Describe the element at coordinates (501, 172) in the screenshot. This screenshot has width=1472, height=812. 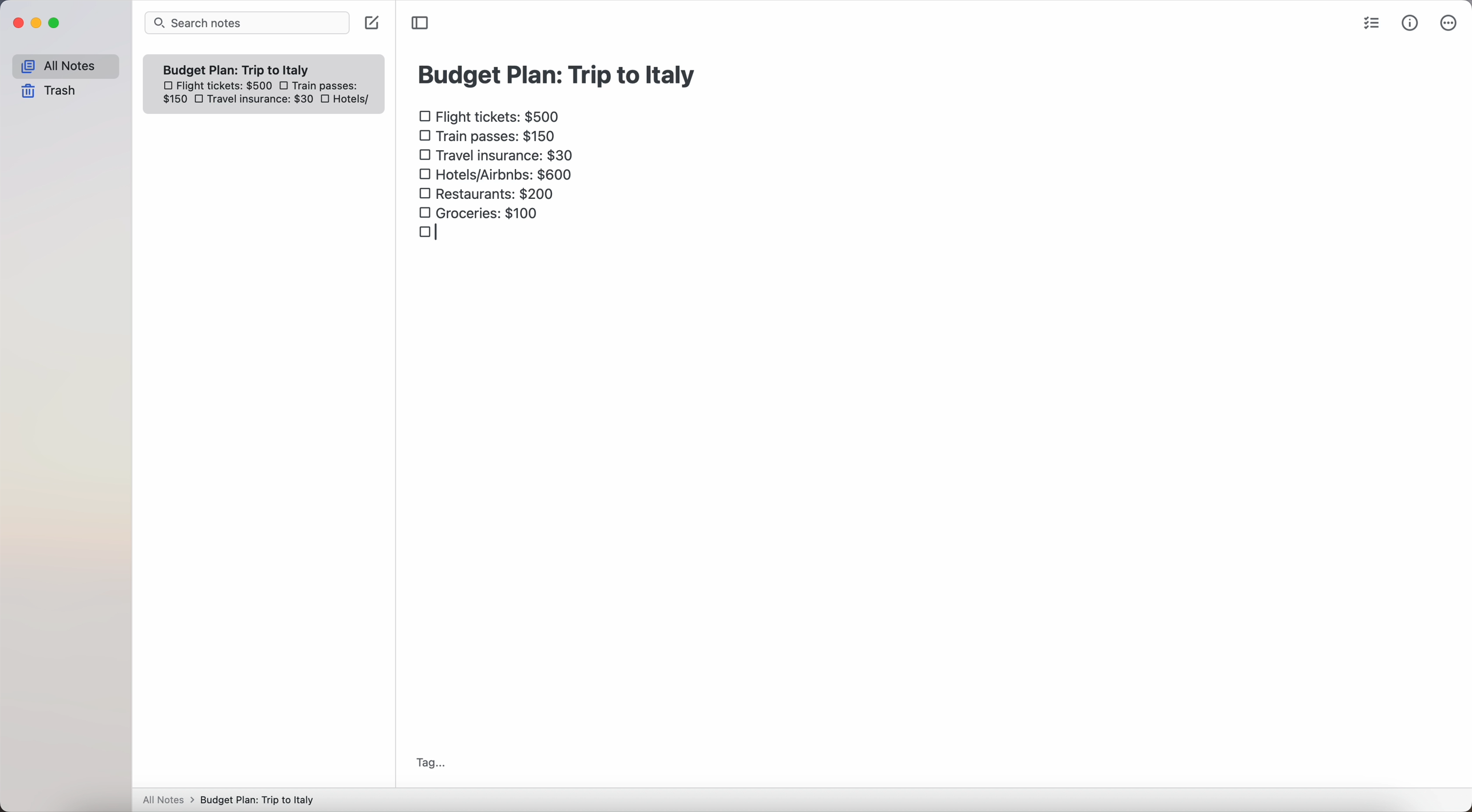
I see `hotels/airbnbs: $600 checkbox` at that location.